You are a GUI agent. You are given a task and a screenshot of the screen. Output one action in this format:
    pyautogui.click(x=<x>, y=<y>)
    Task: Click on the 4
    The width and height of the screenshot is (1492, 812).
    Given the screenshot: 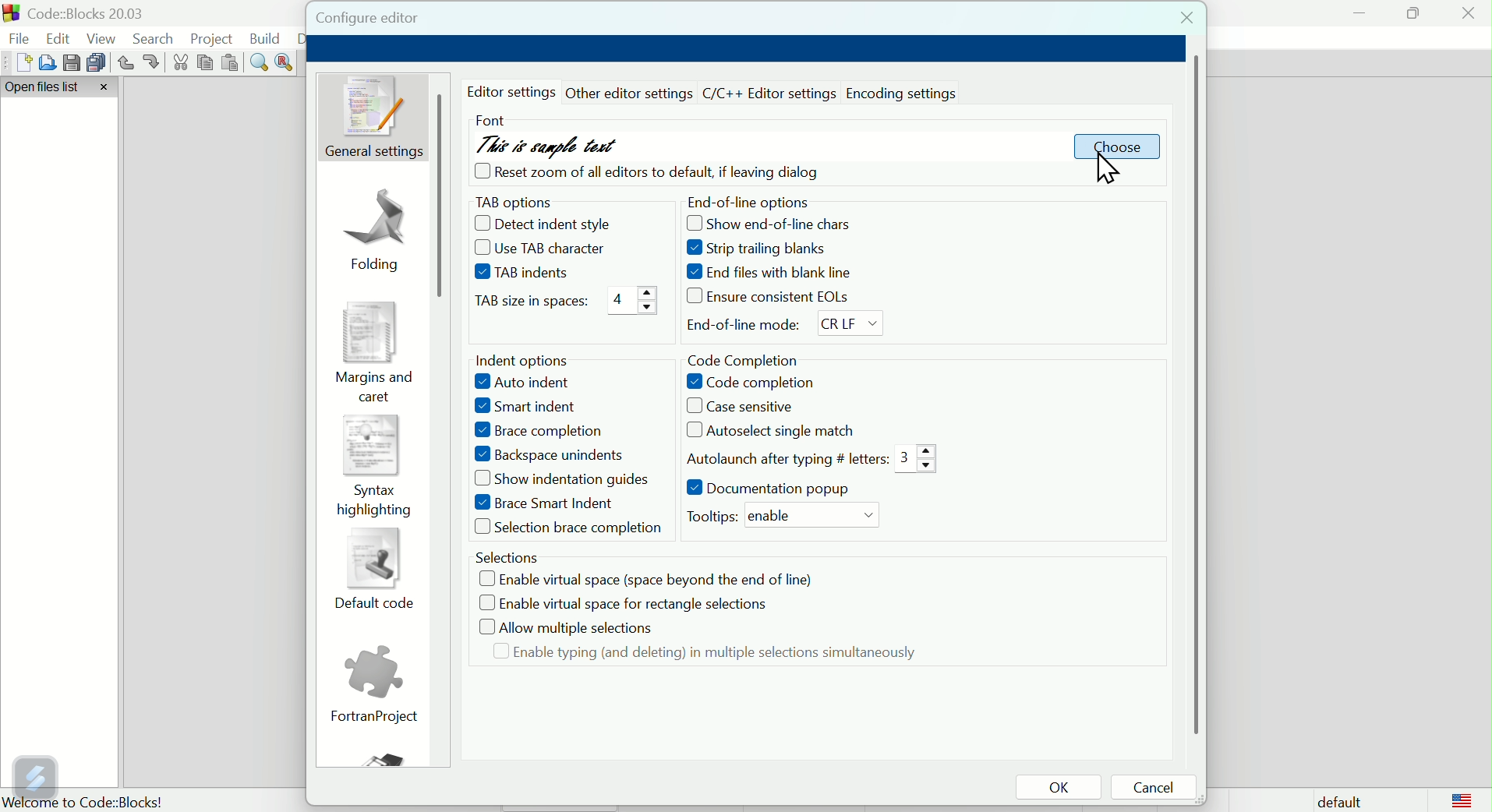 What is the action you would take?
    pyautogui.click(x=633, y=301)
    